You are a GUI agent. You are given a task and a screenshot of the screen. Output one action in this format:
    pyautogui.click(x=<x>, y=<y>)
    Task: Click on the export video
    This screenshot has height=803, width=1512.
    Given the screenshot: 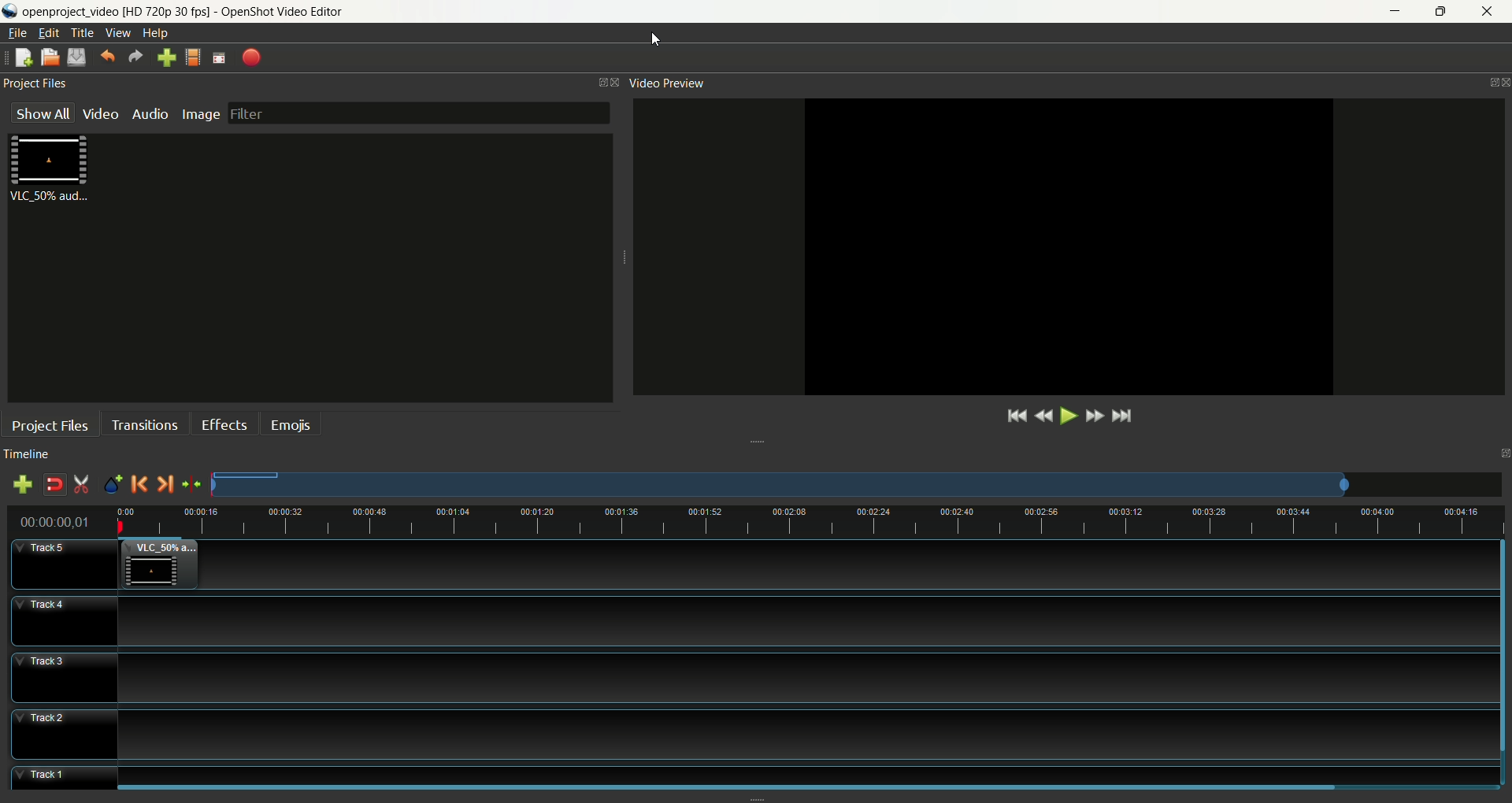 What is the action you would take?
    pyautogui.click(x=252, y=57)
    